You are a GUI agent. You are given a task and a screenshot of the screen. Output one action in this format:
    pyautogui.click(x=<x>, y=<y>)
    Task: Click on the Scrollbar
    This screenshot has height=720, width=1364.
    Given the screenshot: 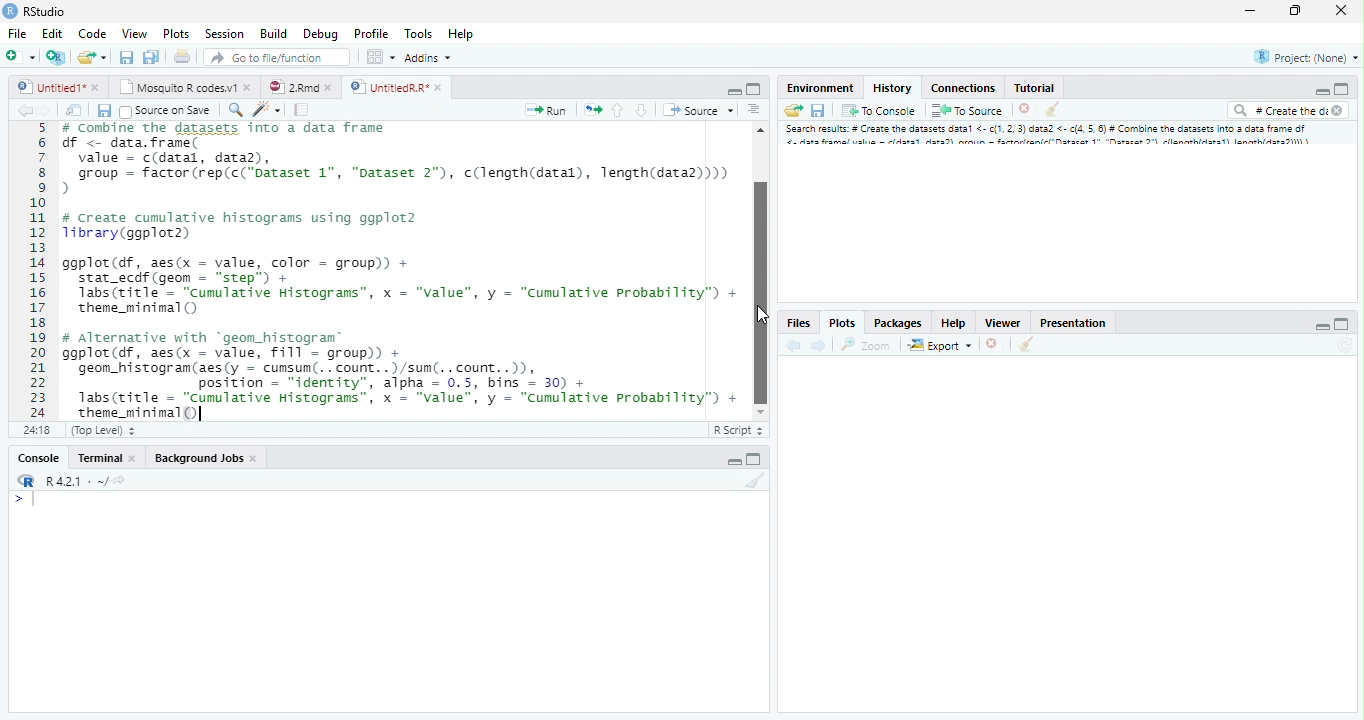 What is the action you would take?
    pyautogui.click(x=759, y=268)
    